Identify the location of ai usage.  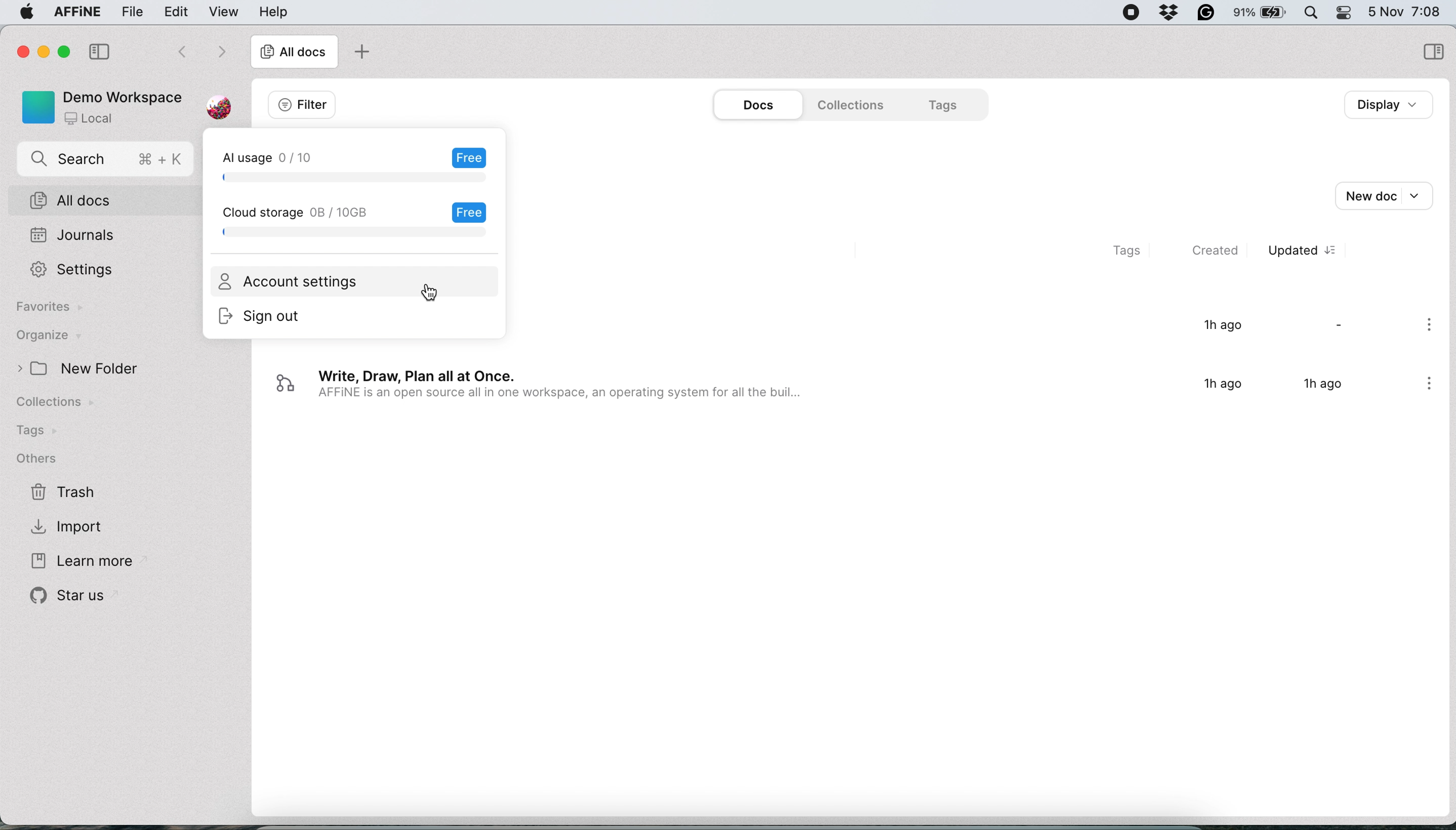
(354, 163).